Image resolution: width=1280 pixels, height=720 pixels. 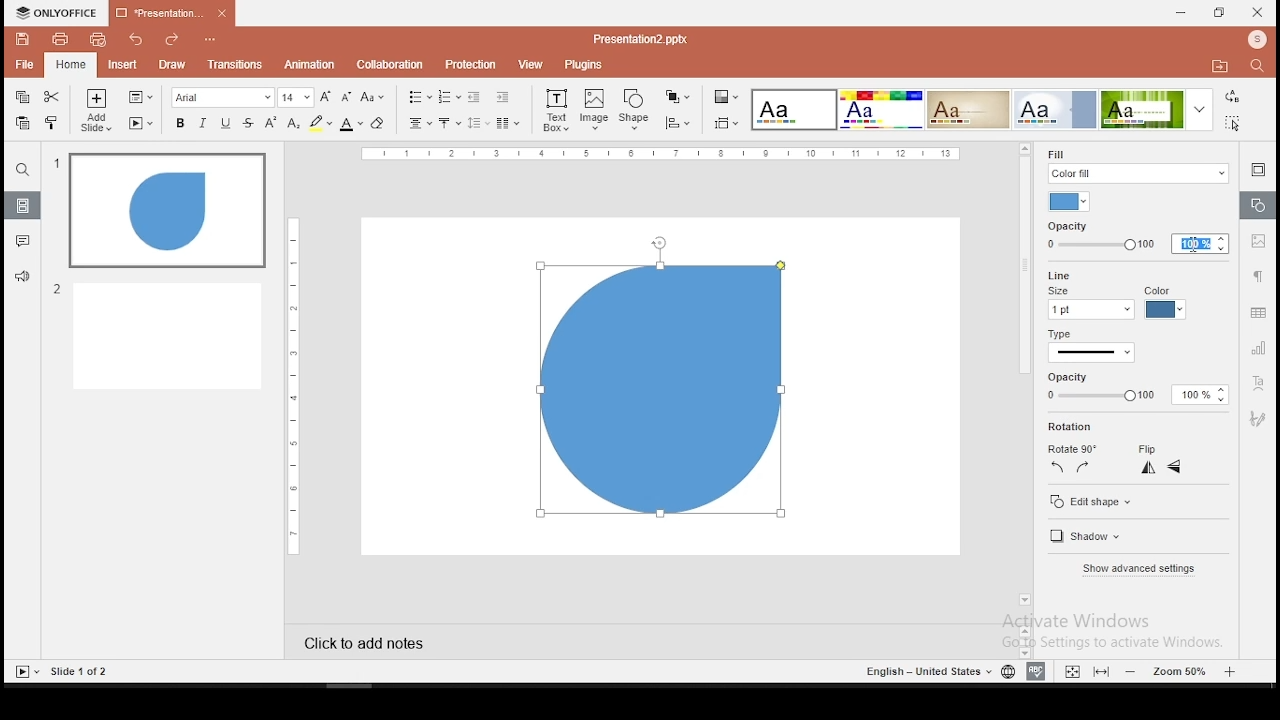 What do you see at coordinates (326, 96) in the screenshot?
I see `increase font size` at bounding box center [326, 96].